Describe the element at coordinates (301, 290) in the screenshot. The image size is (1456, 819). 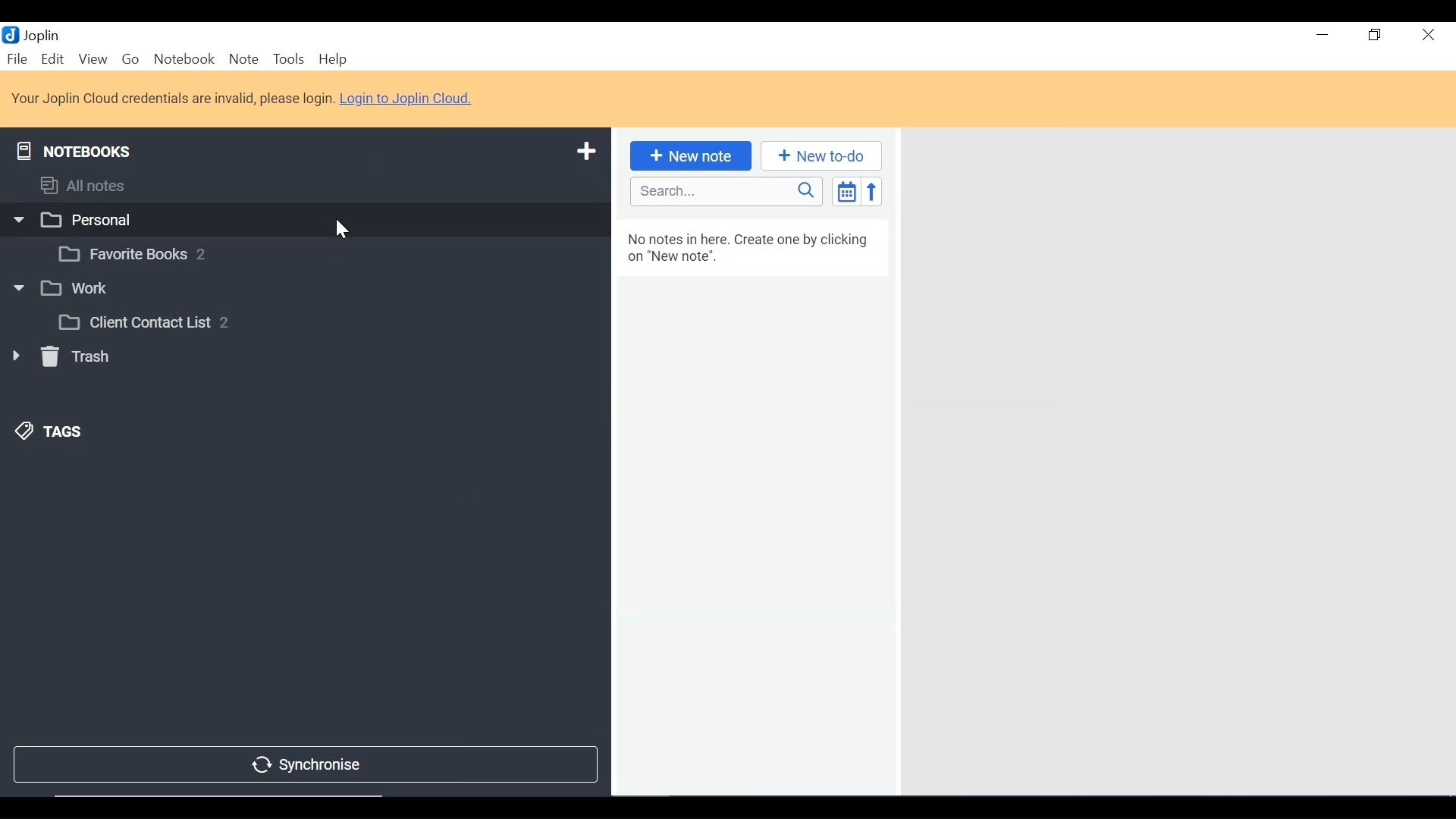
I see `Notebook` at that location.